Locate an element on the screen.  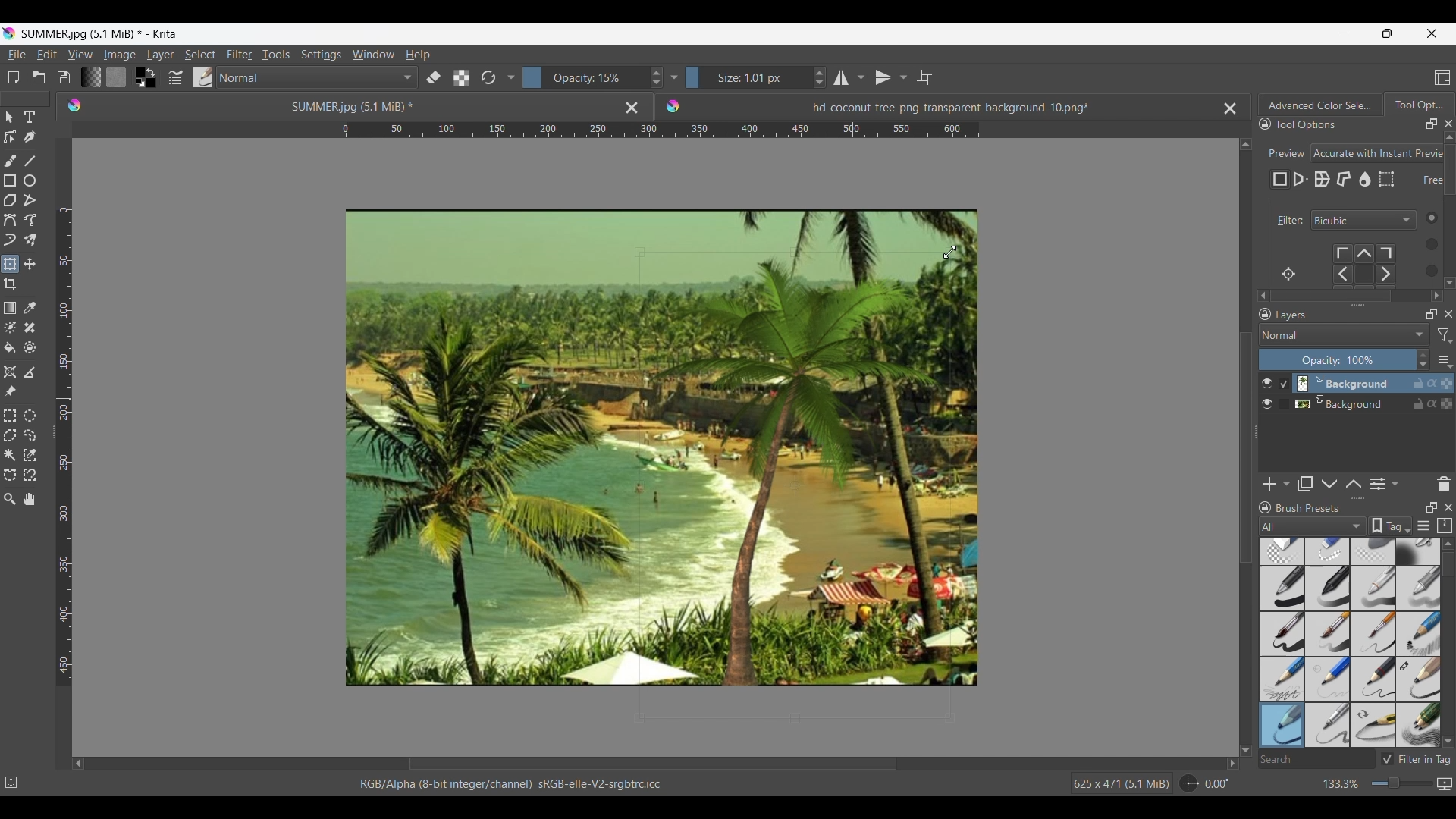
Increase/Decrease canvas size is located at coordinates (1374, 784).